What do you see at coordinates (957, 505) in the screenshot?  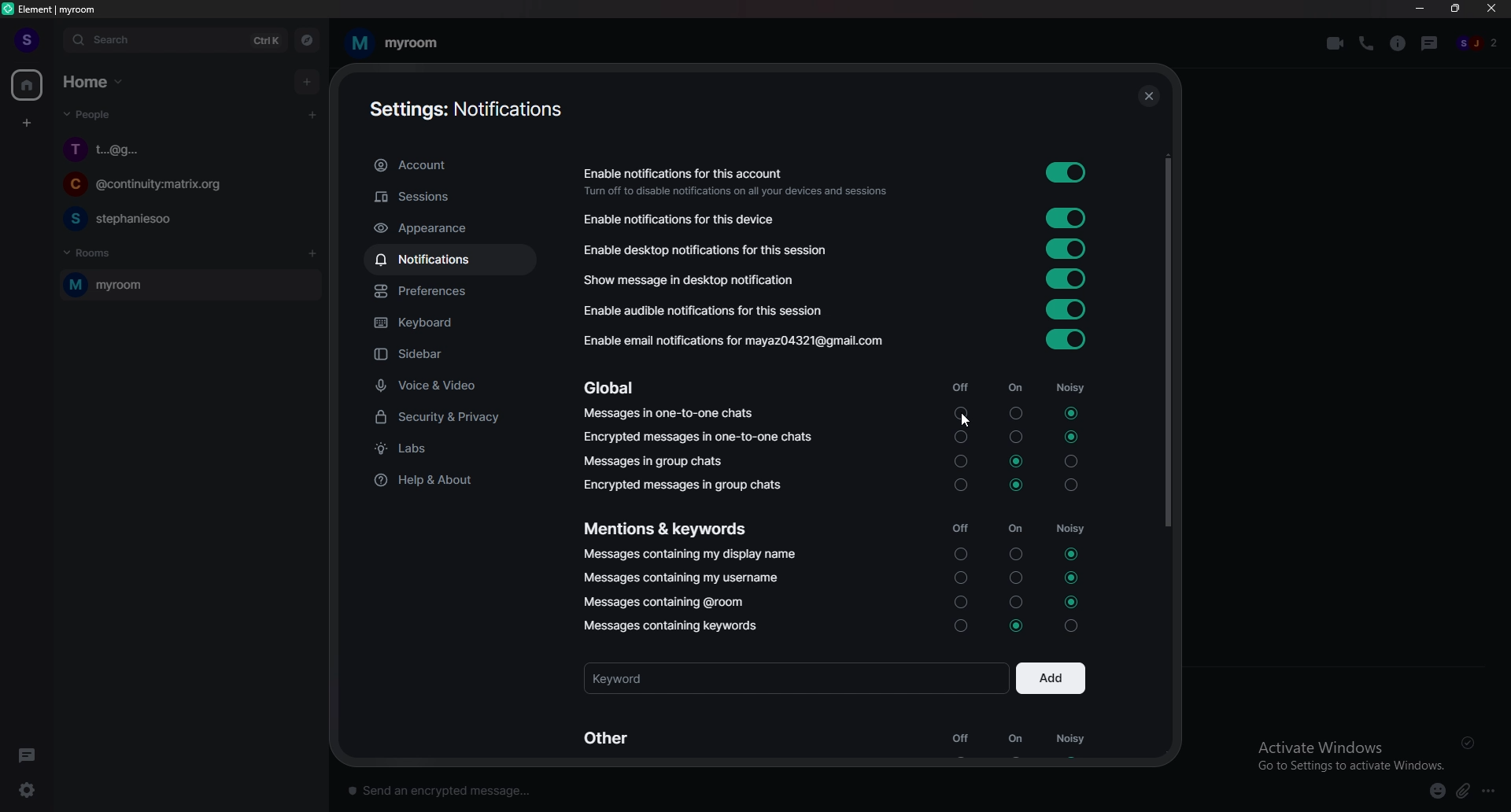 I see `off` at bounding box center [957, 505].